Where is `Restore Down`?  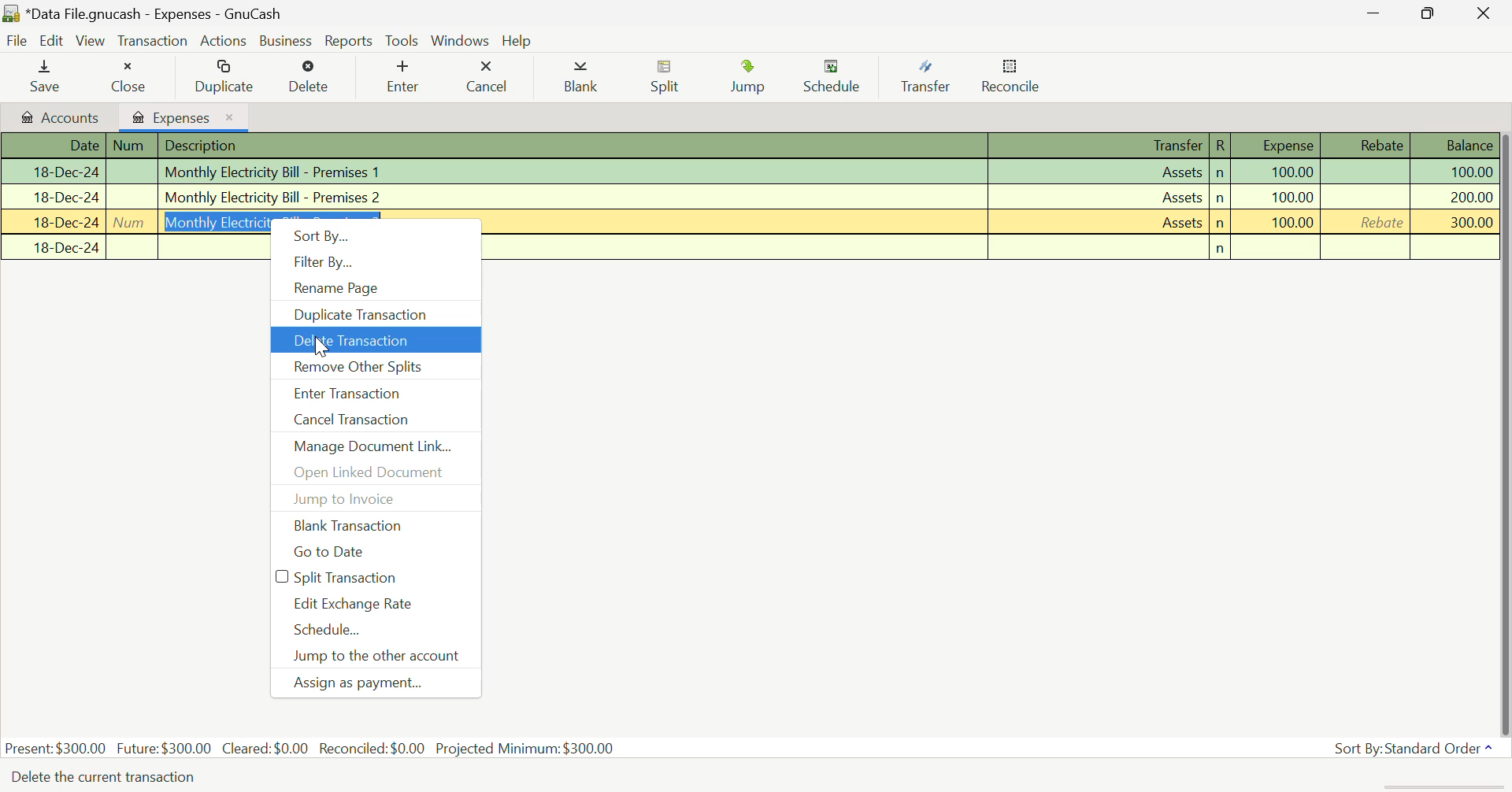
Restore Down is located at coordinates (1371, 12).